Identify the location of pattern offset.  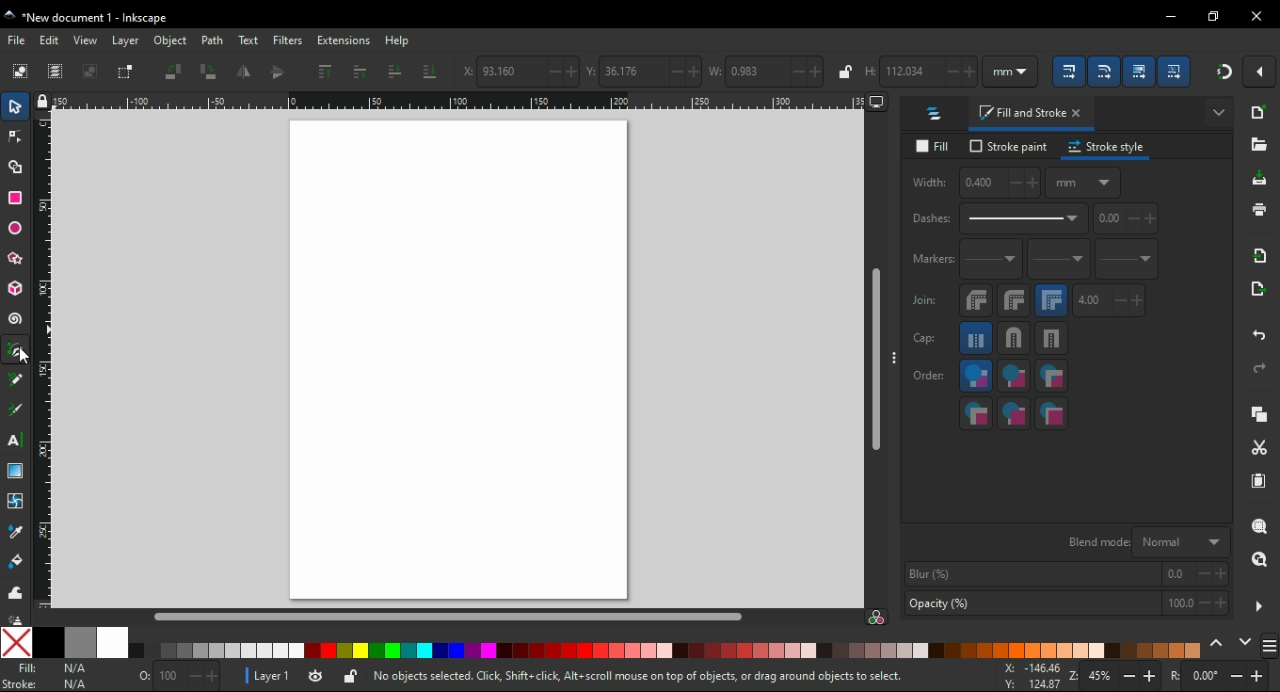
(1127, 219).